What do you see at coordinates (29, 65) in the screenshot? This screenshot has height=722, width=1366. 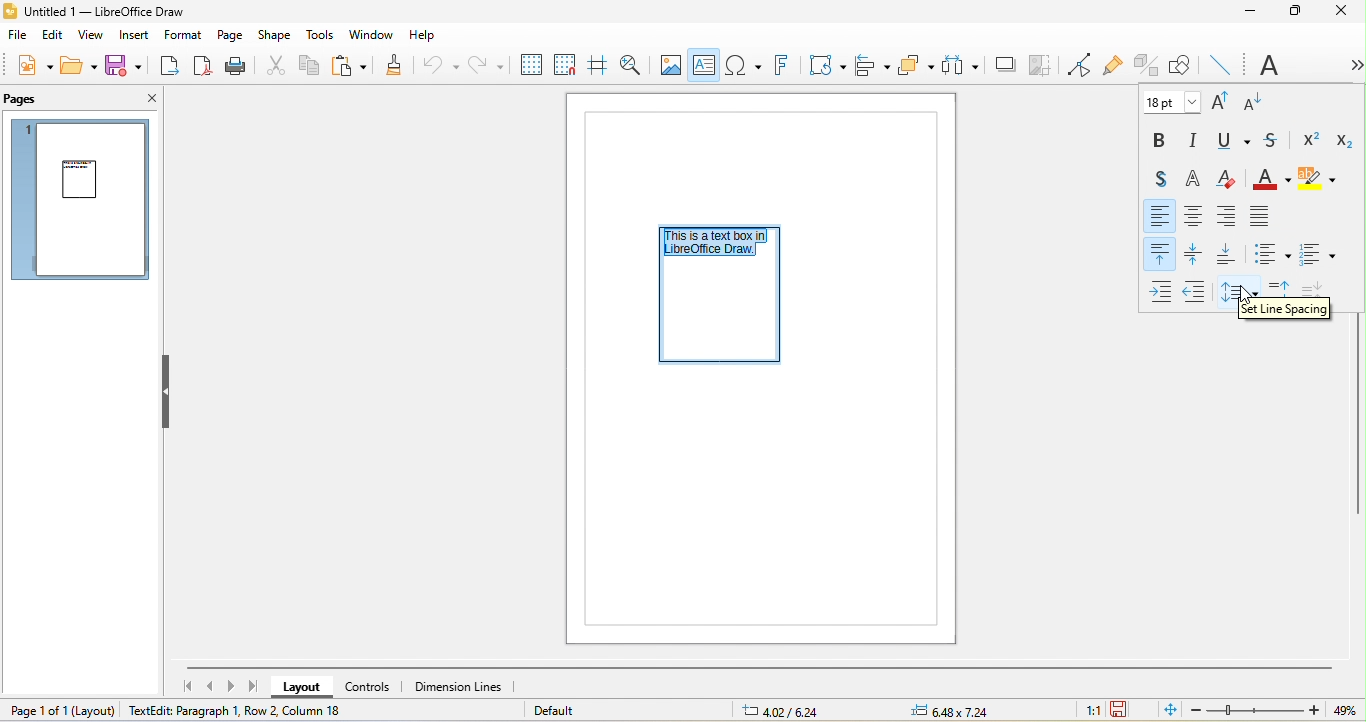 I see `new` at bounding box center [29, 65].